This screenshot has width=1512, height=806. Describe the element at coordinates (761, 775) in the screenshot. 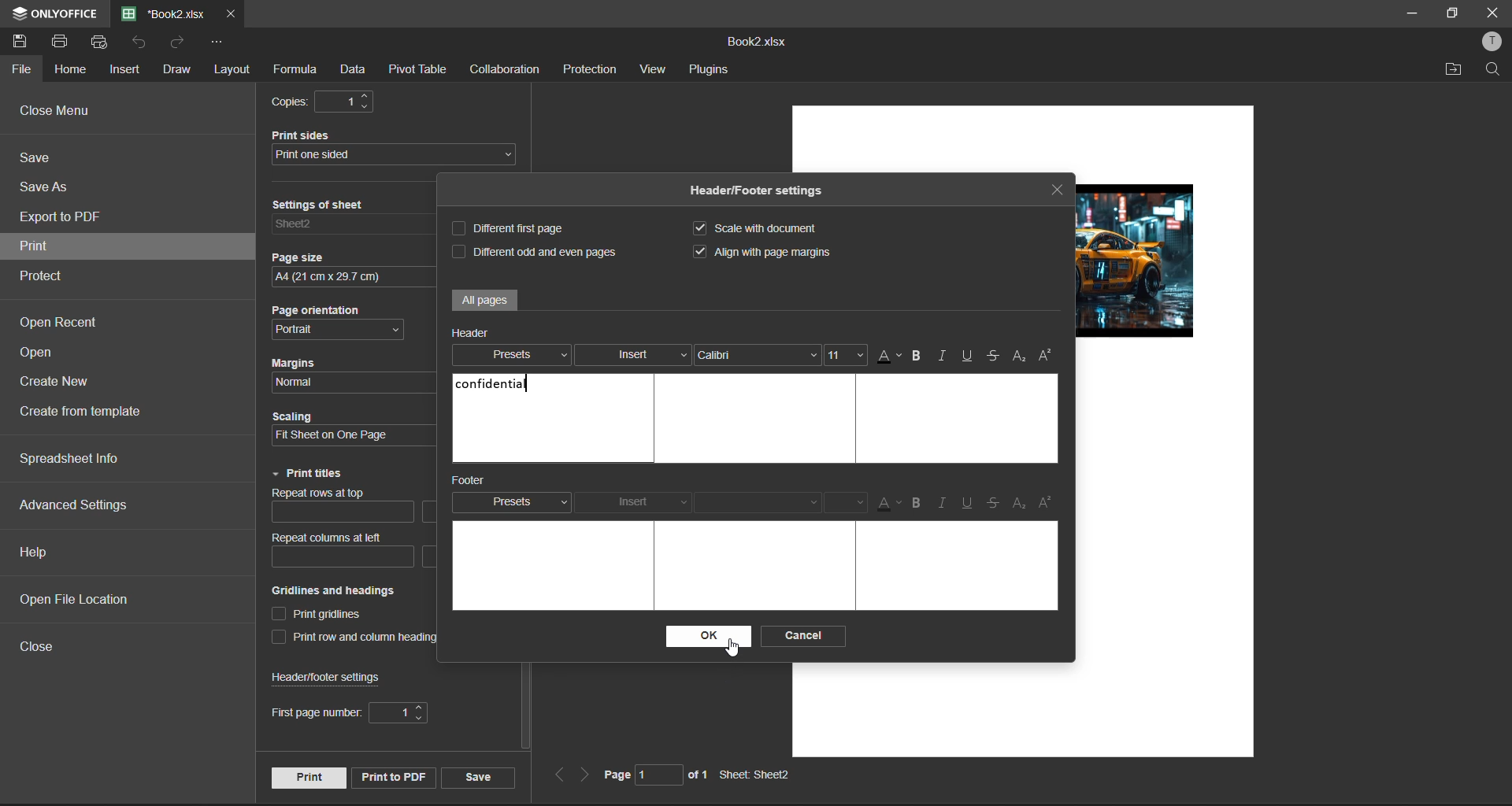

I see `sheet name` at that location.